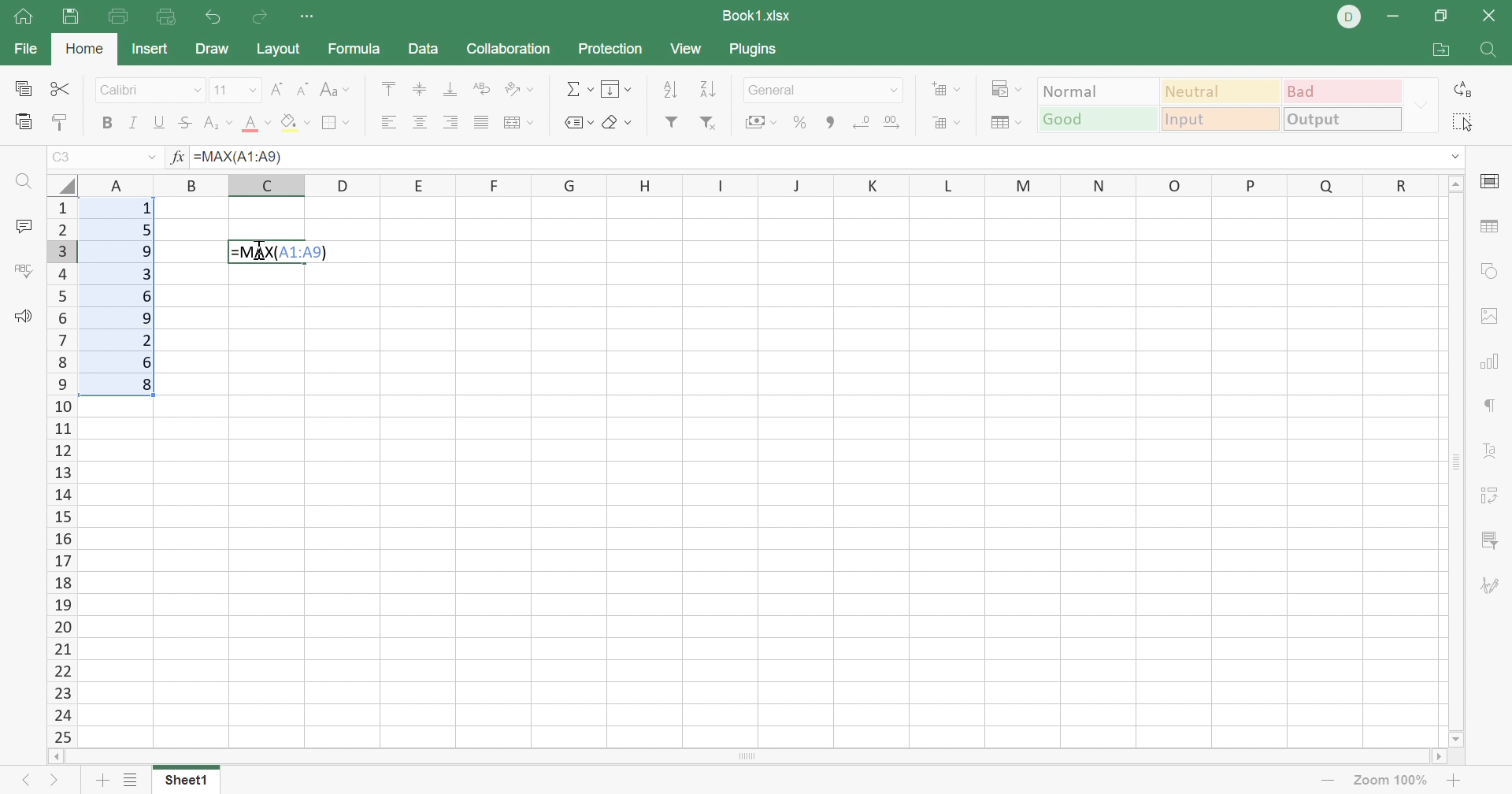  What do you see at coordinates (61, 758) in the screenshot?
I see `Scroll Left` at bounding box center [61, 758].